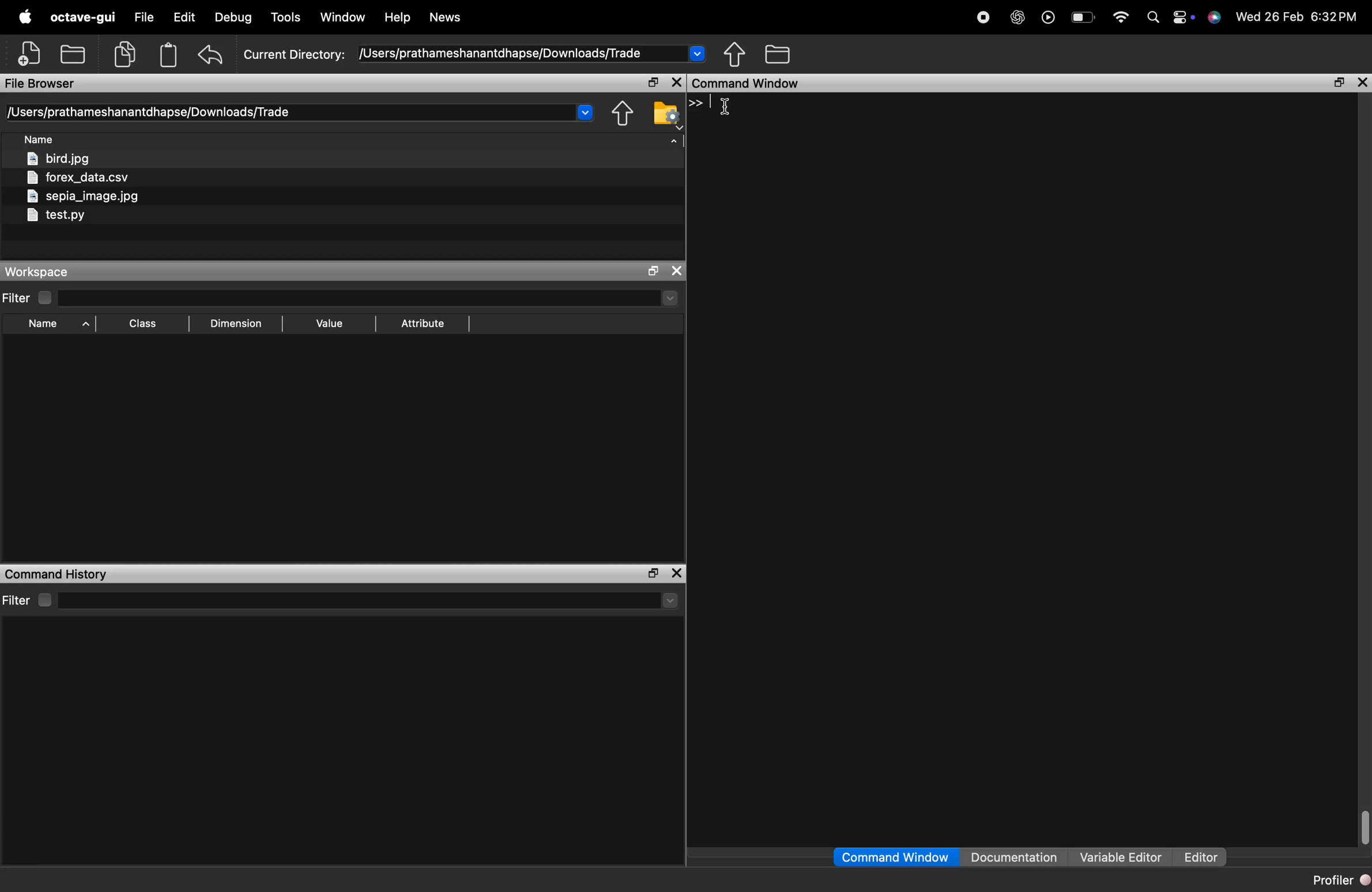 The height and width of the screenshot is (892, 1372). I want to click on news, so click(444, 18).